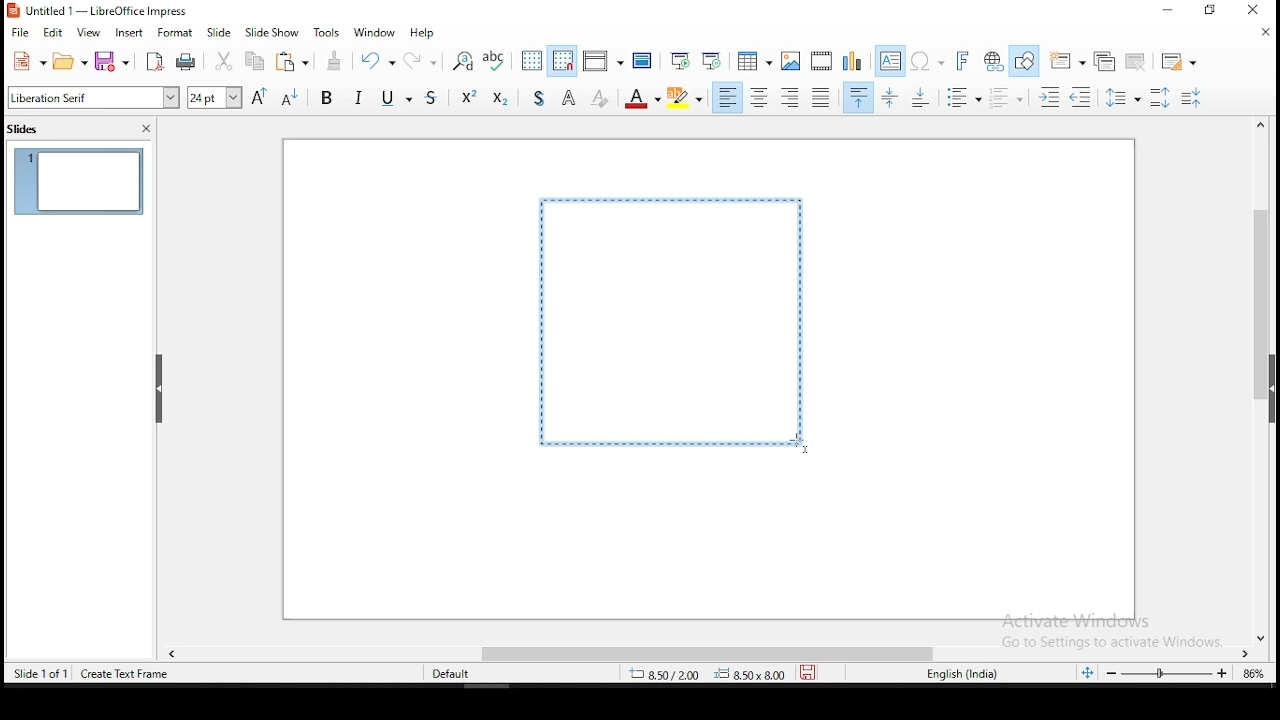 This screenshot has height=720, width=1280. I want to click on close, so click(1260, 34).